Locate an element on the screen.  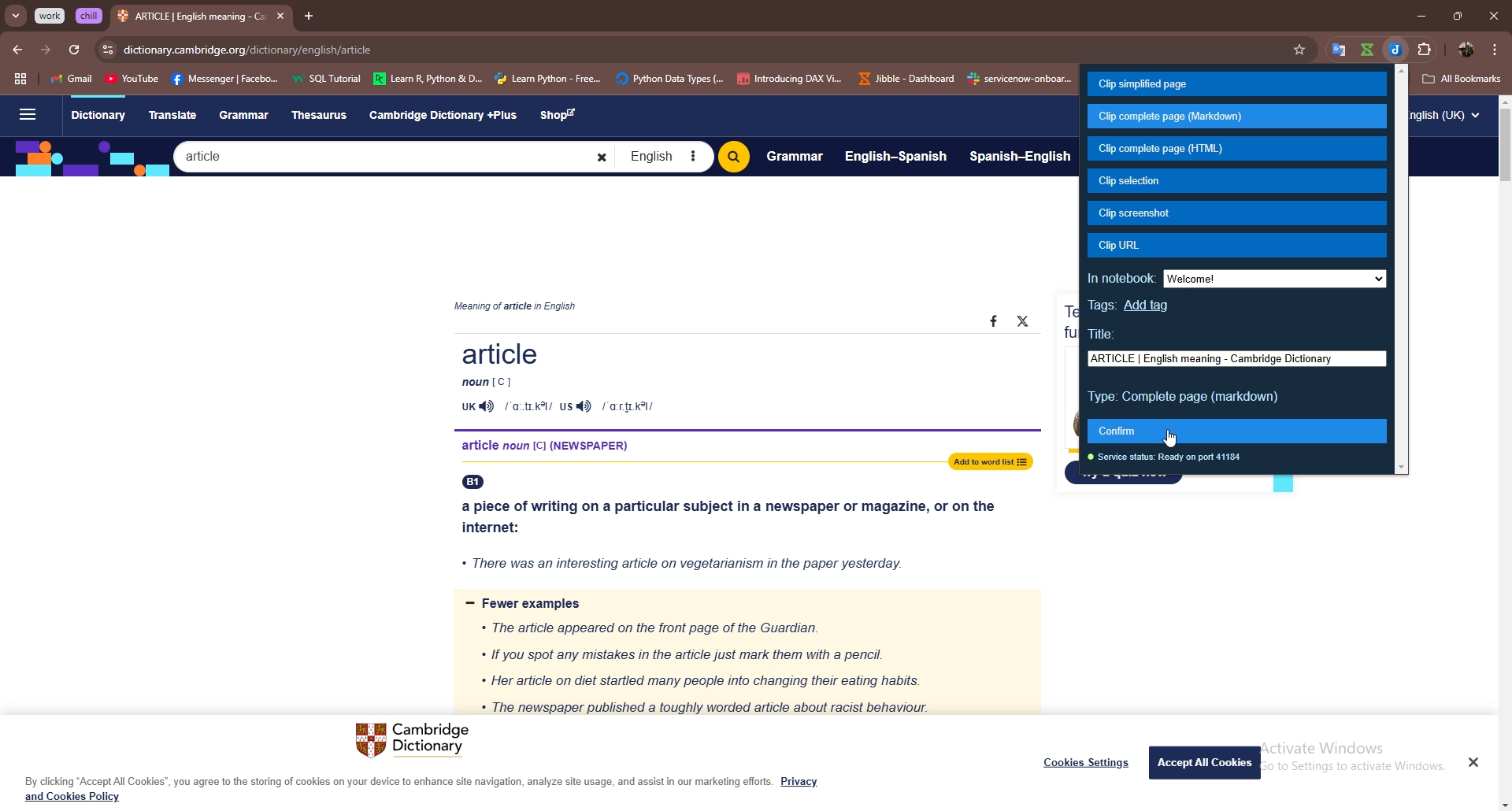
Cambridge Dictionary +Plus is located at coordinates (445, 115).